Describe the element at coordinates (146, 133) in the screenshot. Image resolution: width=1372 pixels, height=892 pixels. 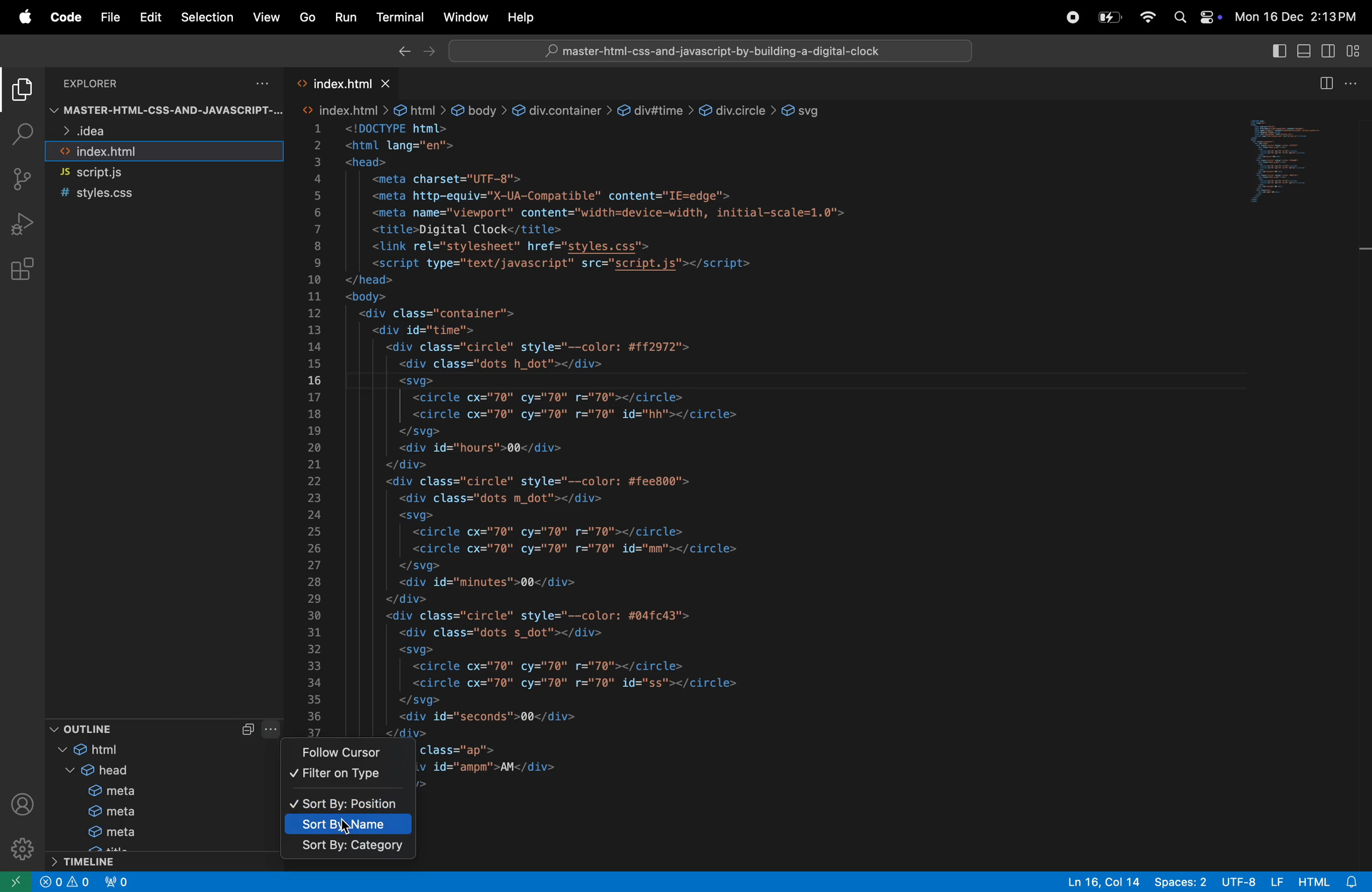
I see `idea` at that location.